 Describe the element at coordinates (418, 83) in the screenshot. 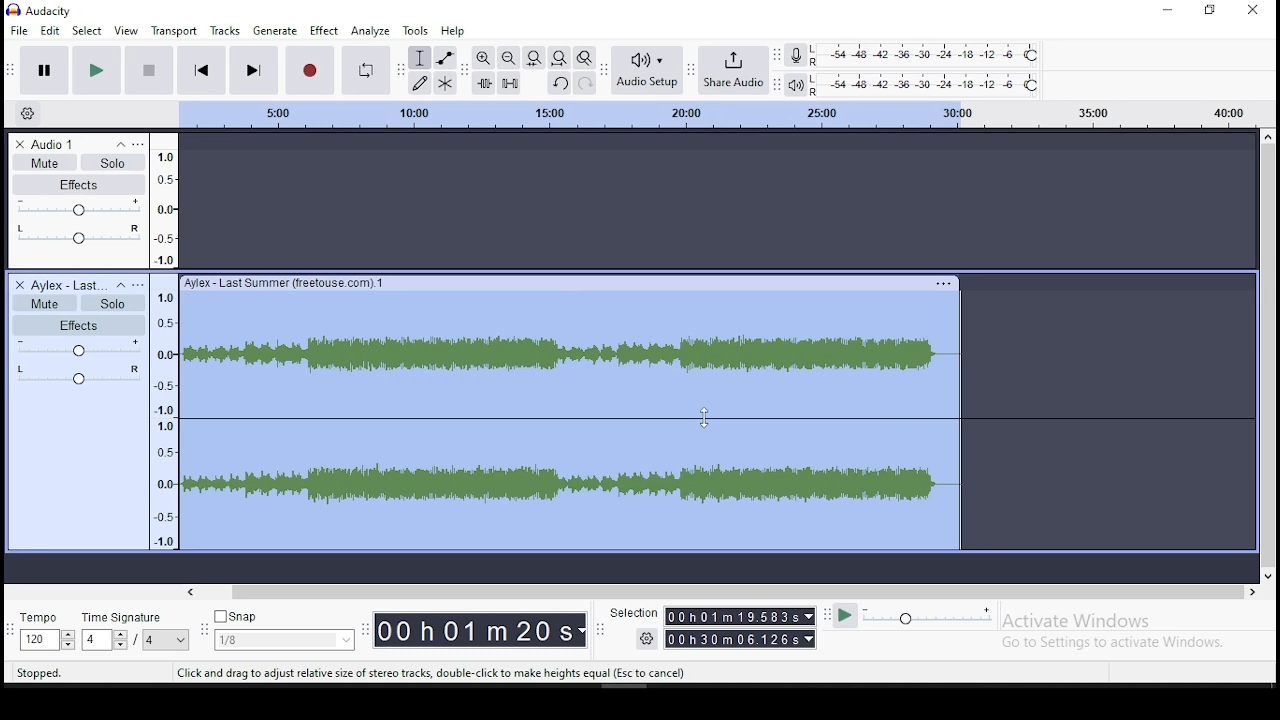

I see `draw tool` at that location.